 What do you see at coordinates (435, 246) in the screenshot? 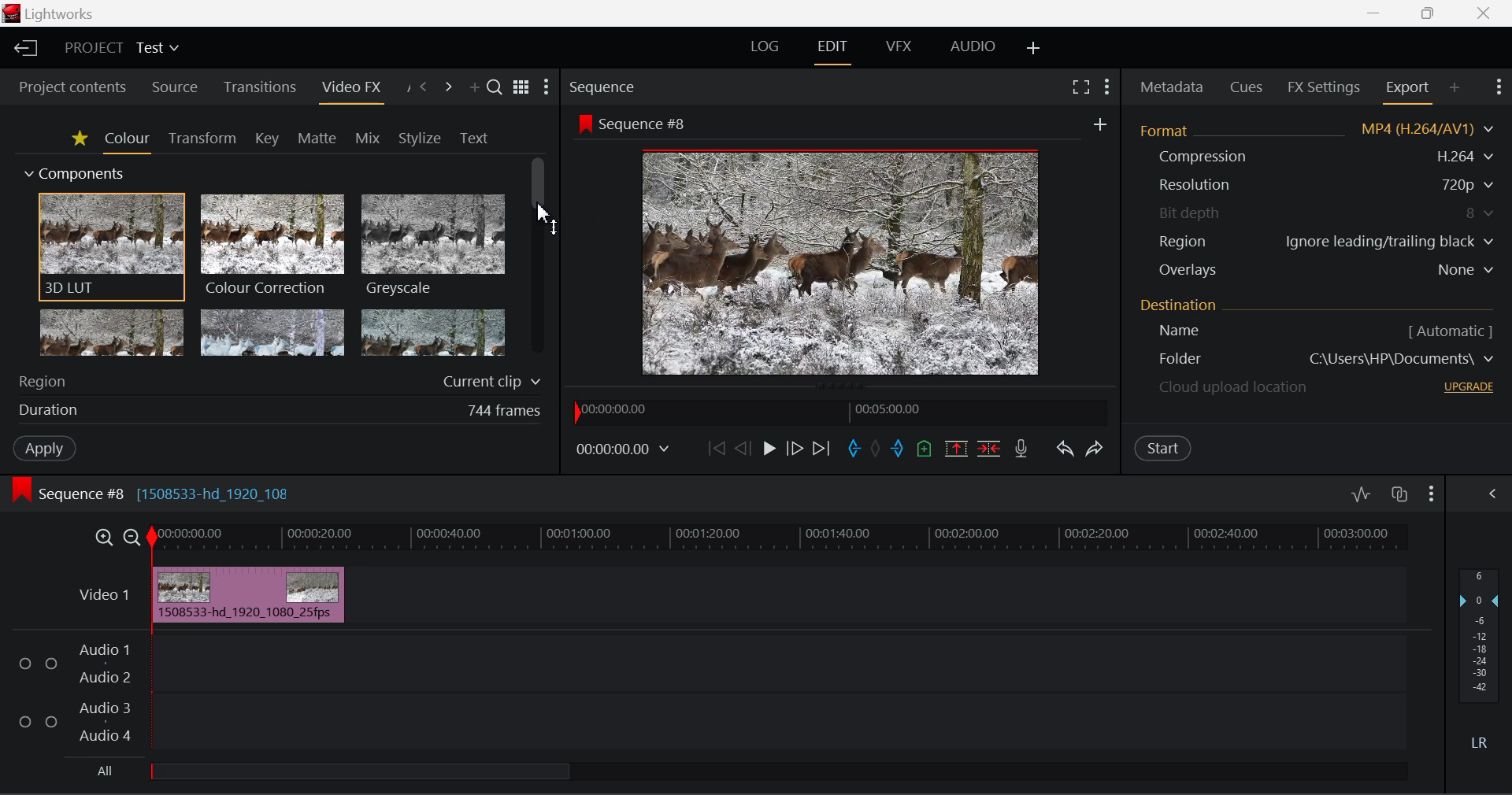
I see `Greyscale` at bounding box center [435, 246].